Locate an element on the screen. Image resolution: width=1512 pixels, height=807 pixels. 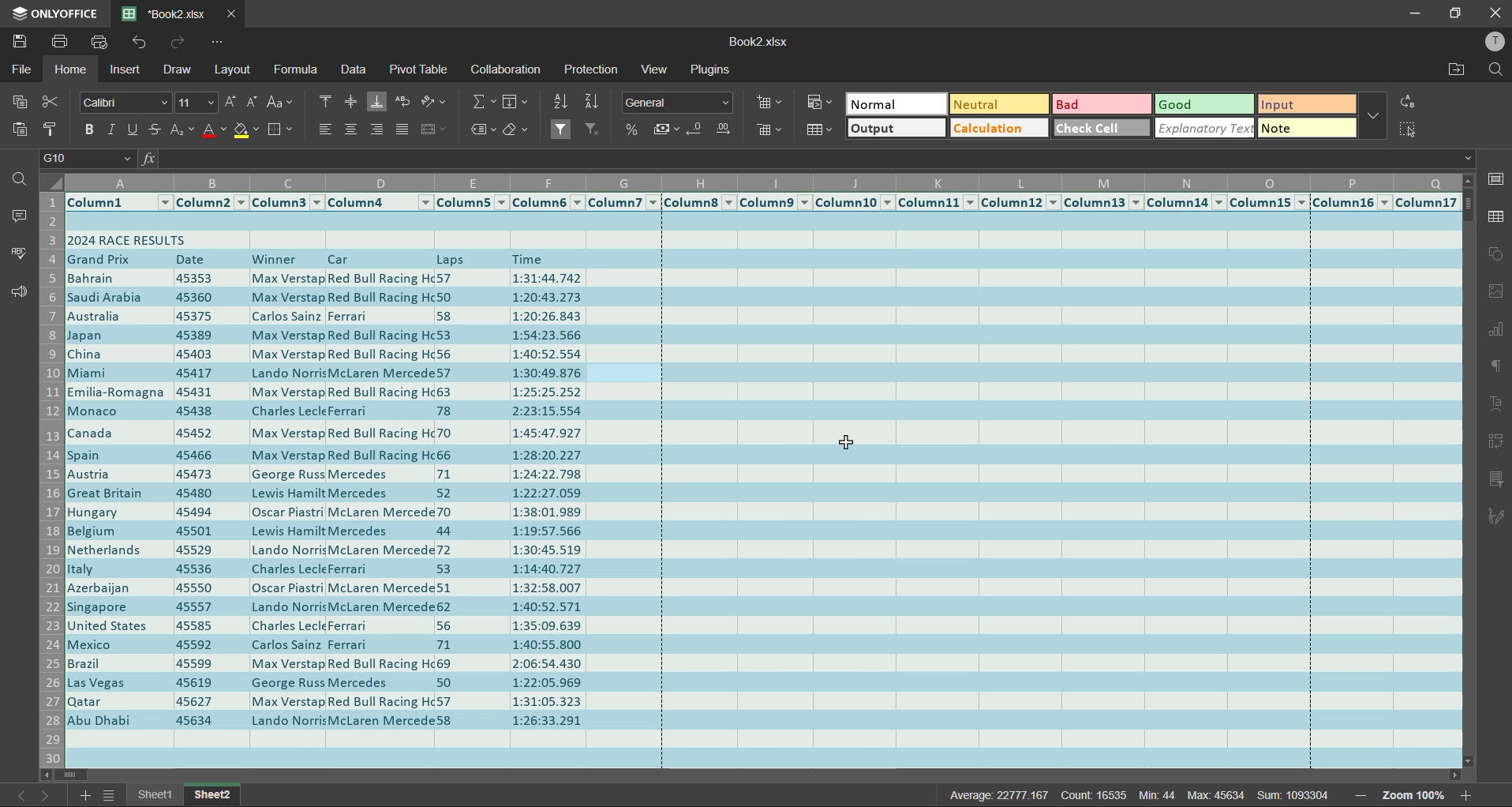
align left is located at coordinates (326, 129).